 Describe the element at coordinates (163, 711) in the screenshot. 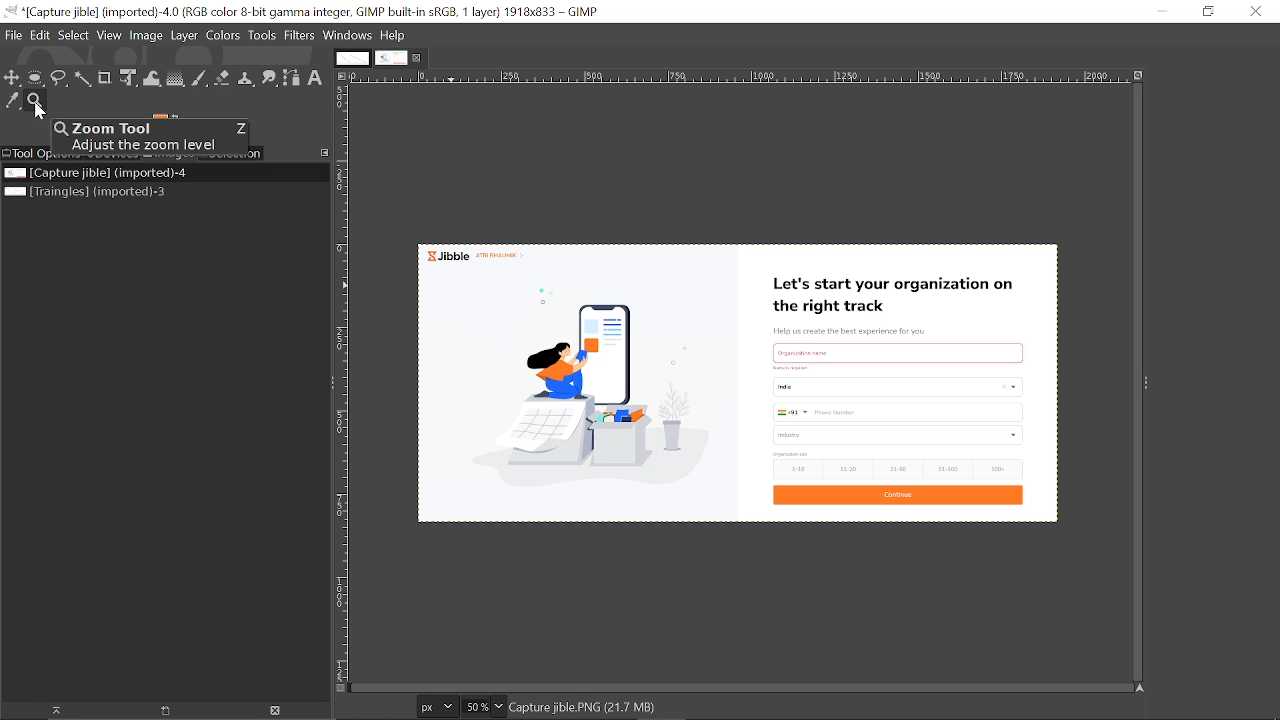

I see `Create a new display for this image` at that location.